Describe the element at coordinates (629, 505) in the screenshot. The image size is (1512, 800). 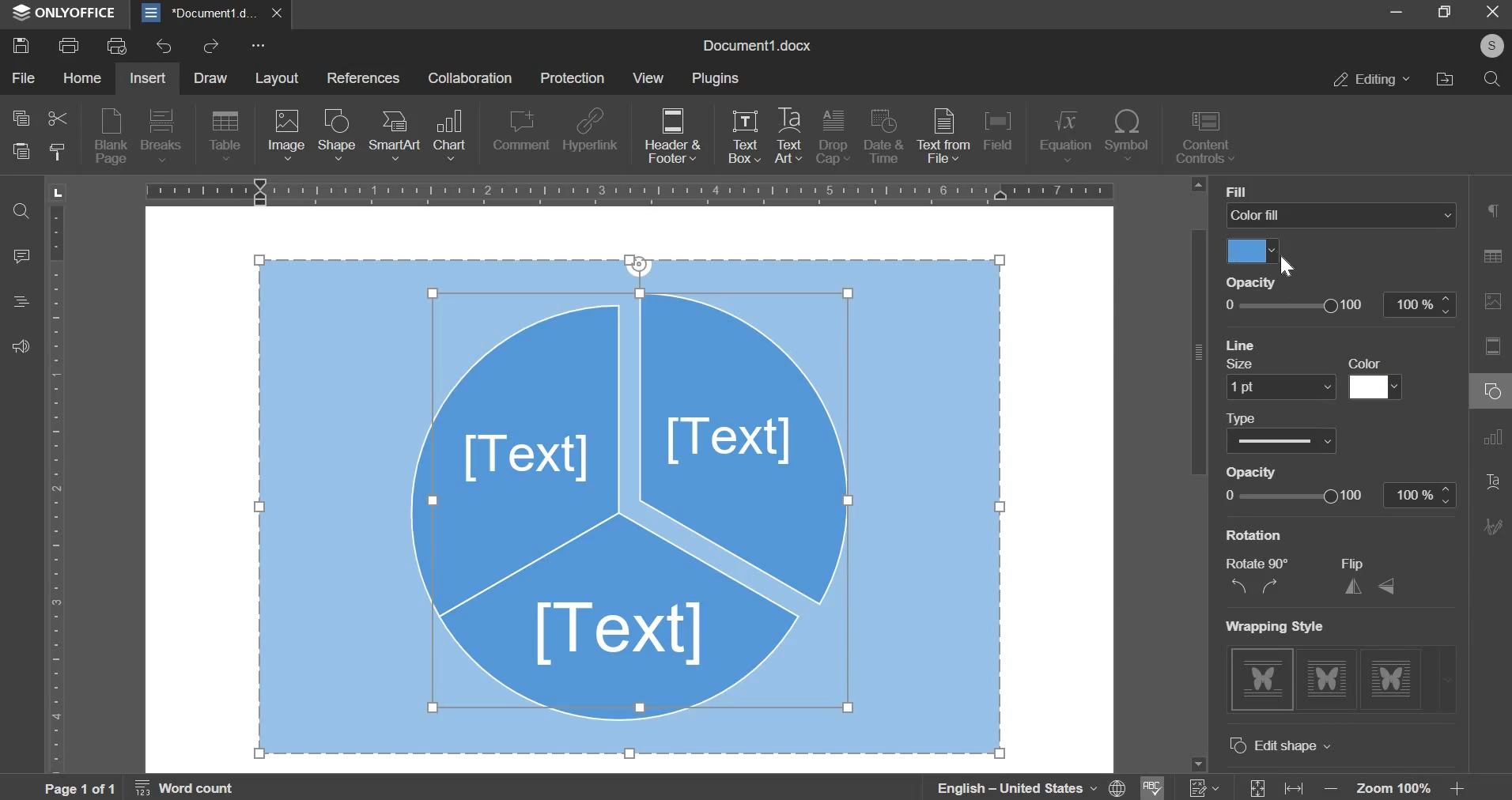
I see `objects` at that location.